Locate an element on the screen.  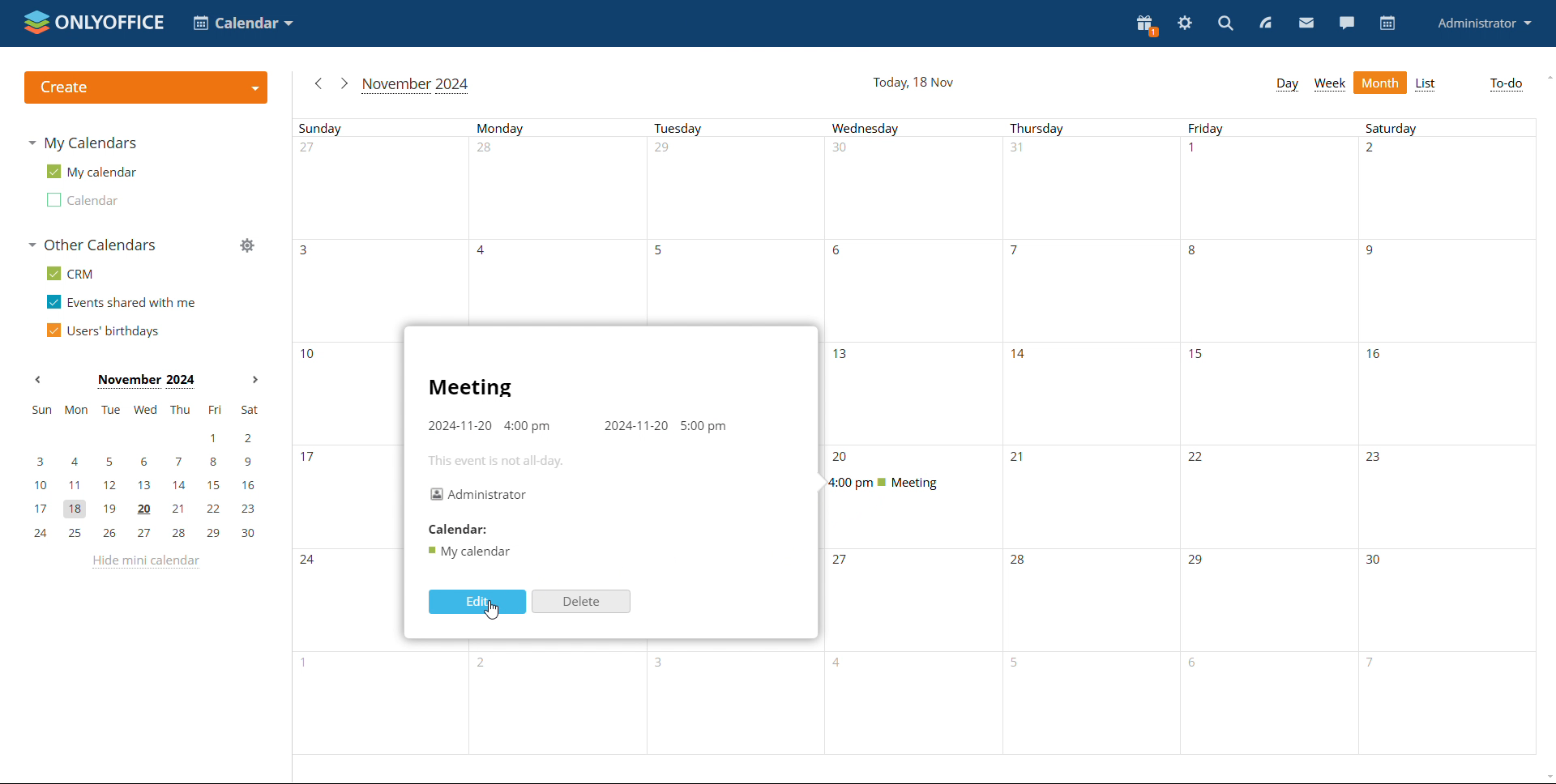
fridays is located at coordinates (1270, 437).